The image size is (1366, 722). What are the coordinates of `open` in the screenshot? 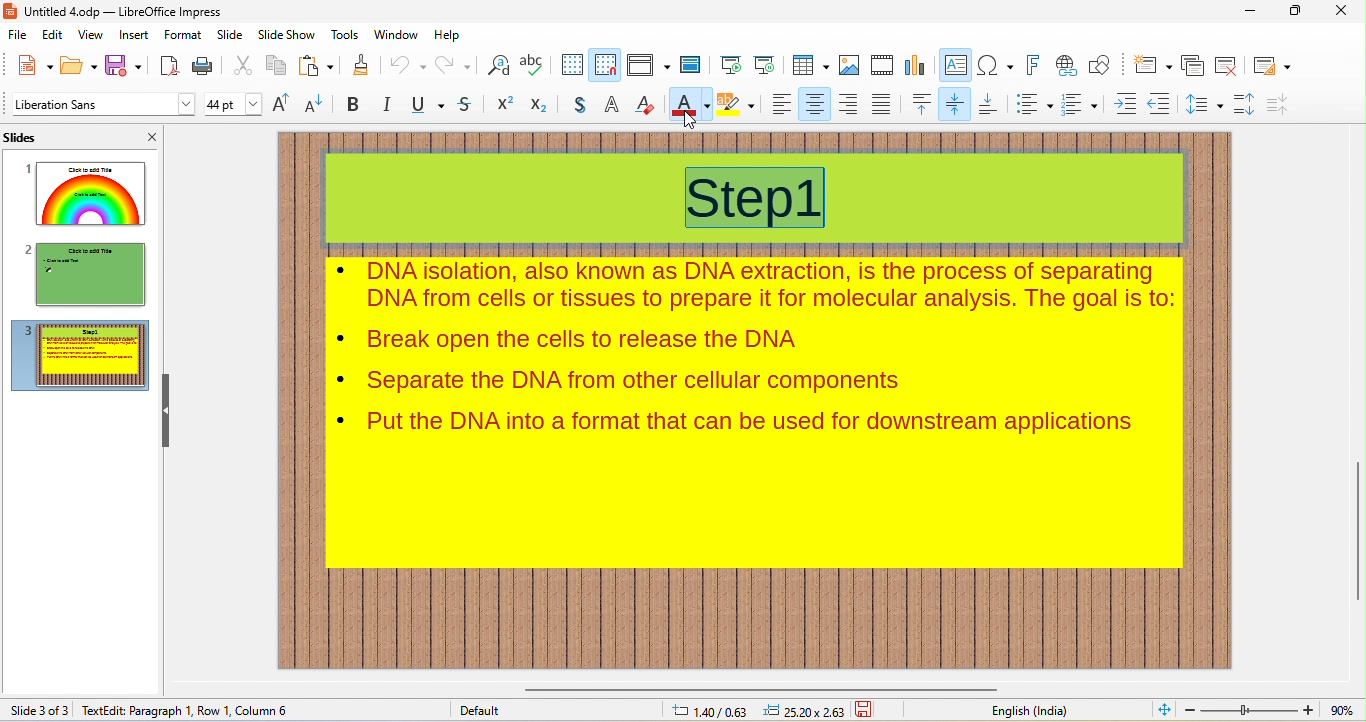 It's located at (79, 66).